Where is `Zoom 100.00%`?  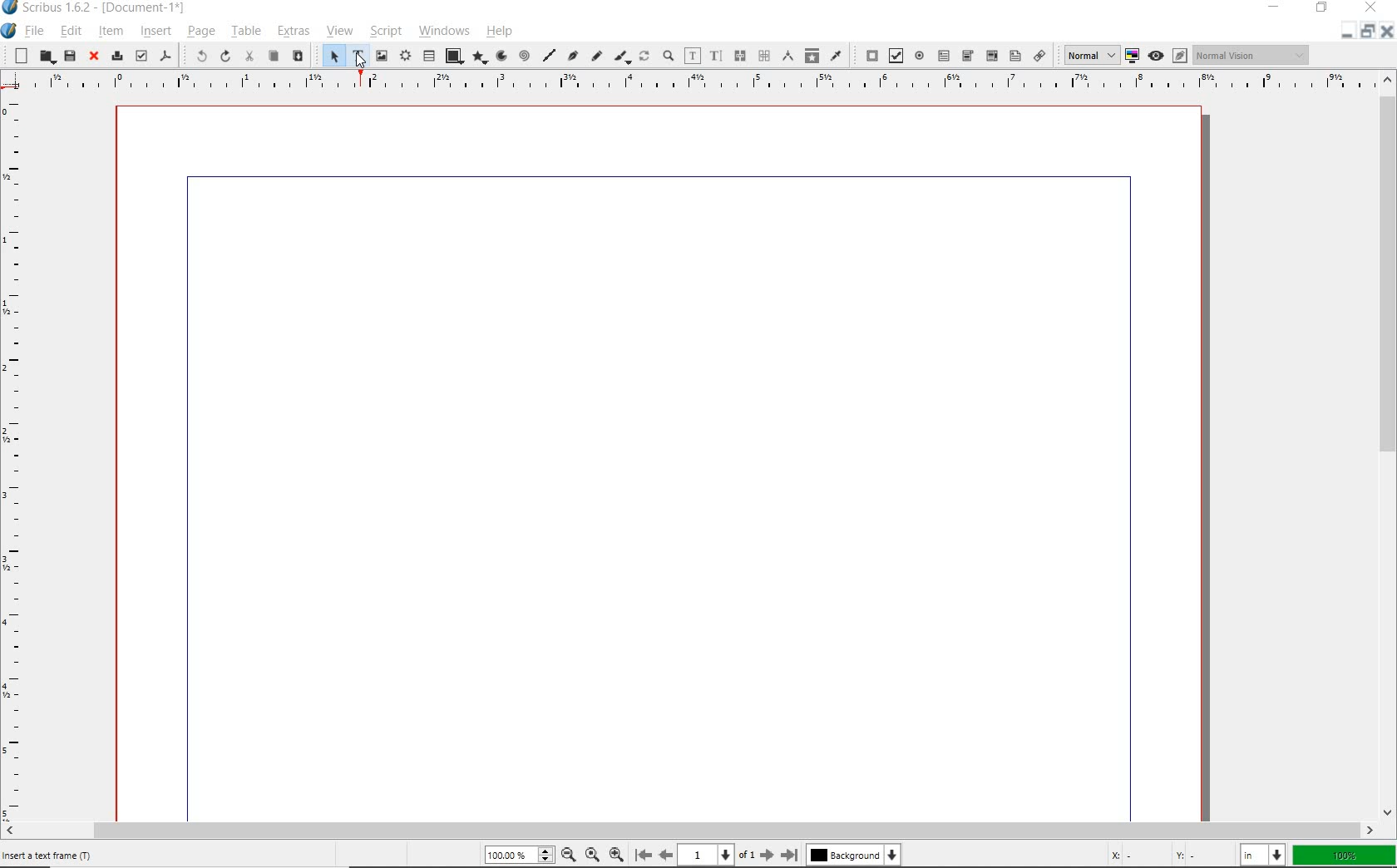 Zoom 100.00% is located at coordinates (520, 856).